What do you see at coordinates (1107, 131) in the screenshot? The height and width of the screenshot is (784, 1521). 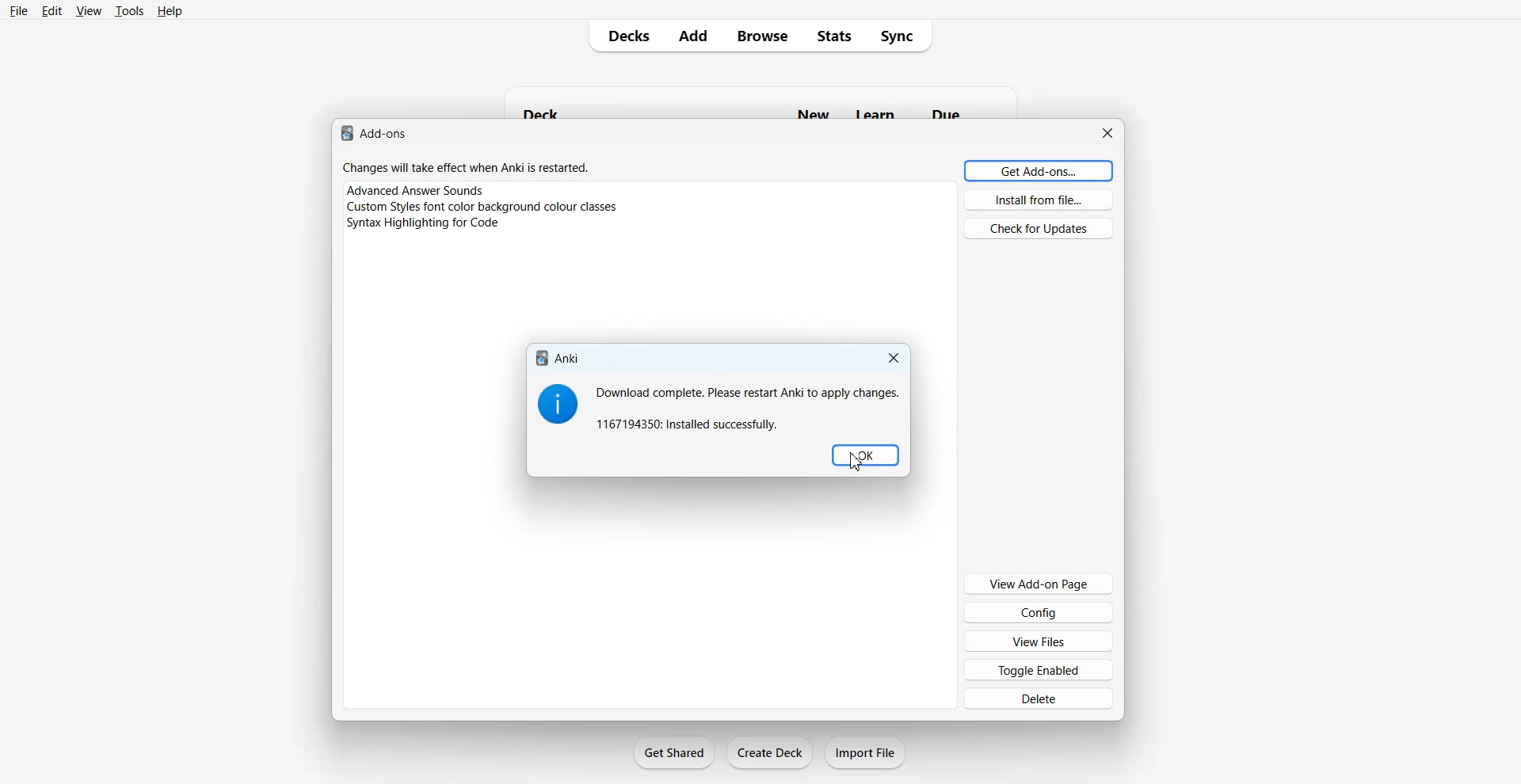 I see `Close` at bounding box center [1107, 131].